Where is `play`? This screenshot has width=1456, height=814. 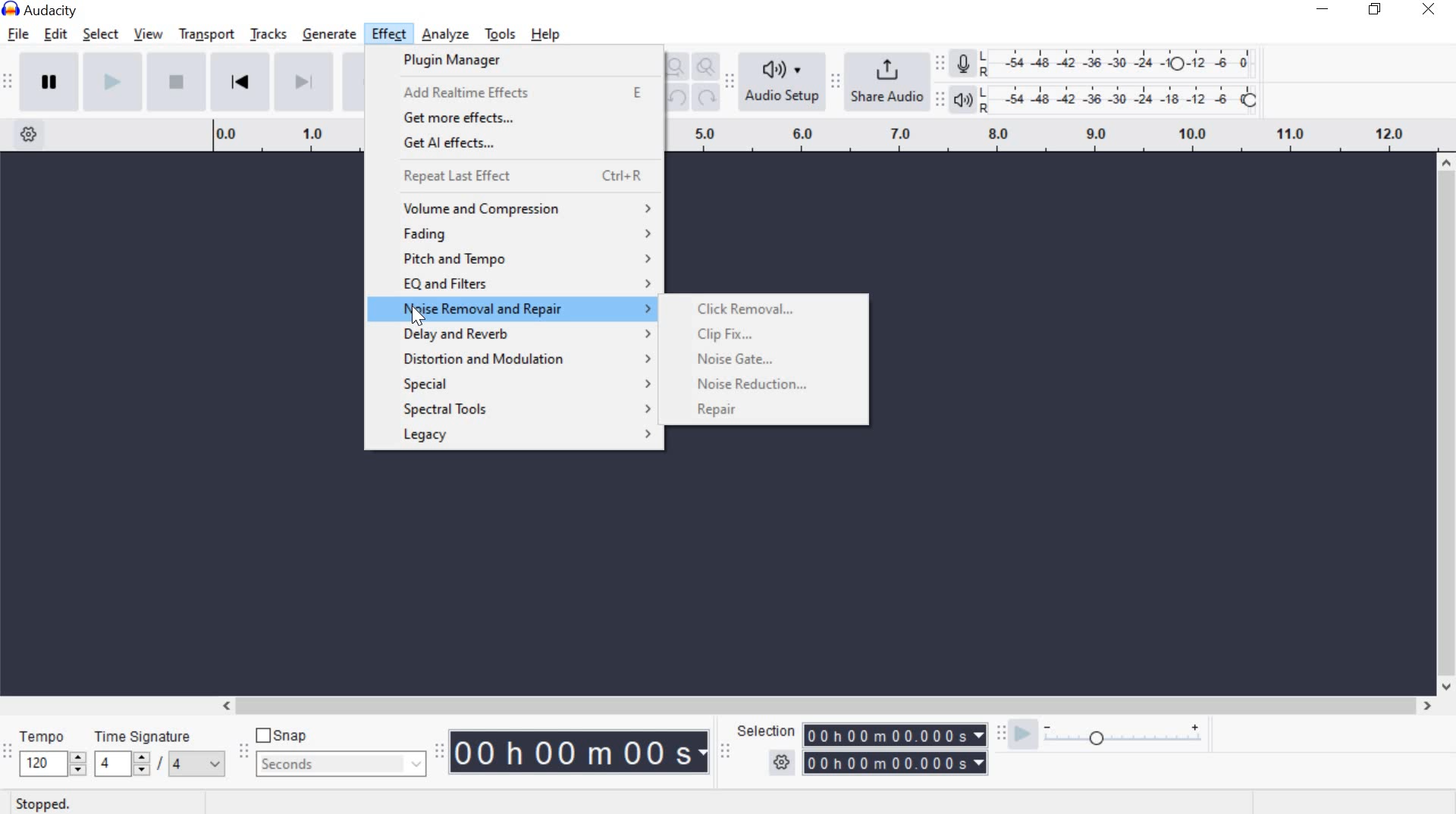
play is located at coordinates (111, 83).